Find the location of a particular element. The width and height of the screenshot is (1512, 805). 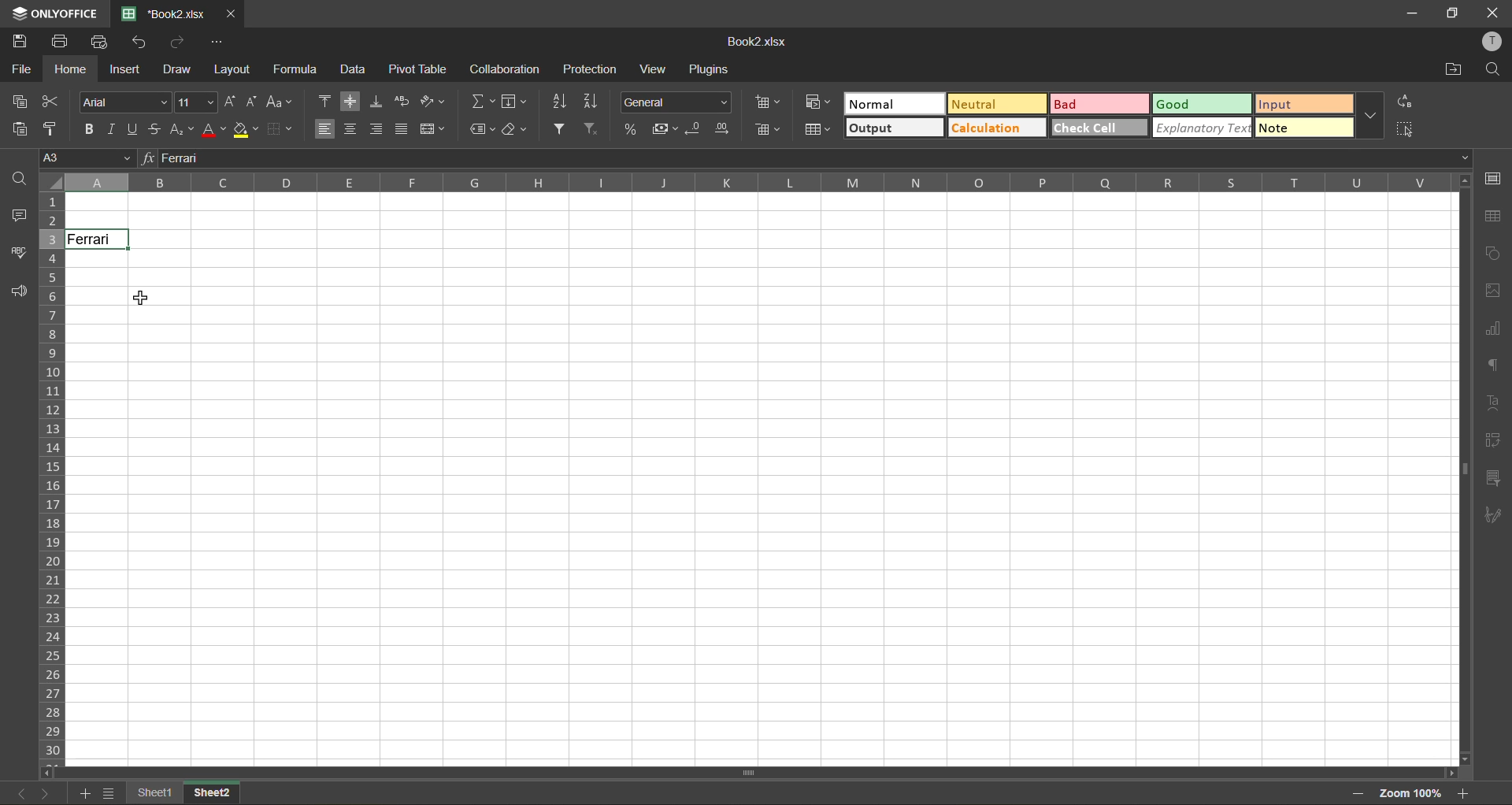

clear is located at coordinates (517, 133).